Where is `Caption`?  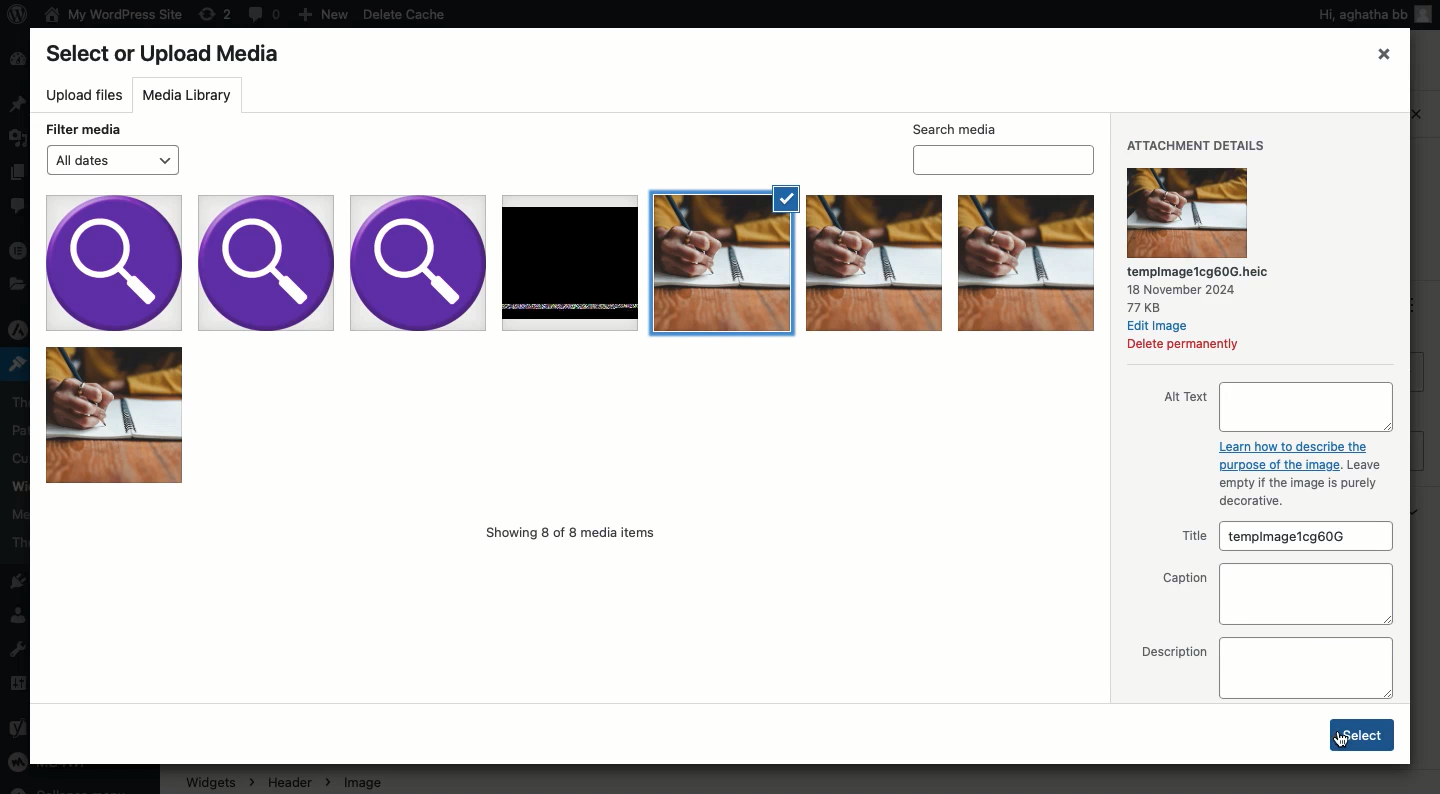 Caption is located at coordinates (1273, 593).